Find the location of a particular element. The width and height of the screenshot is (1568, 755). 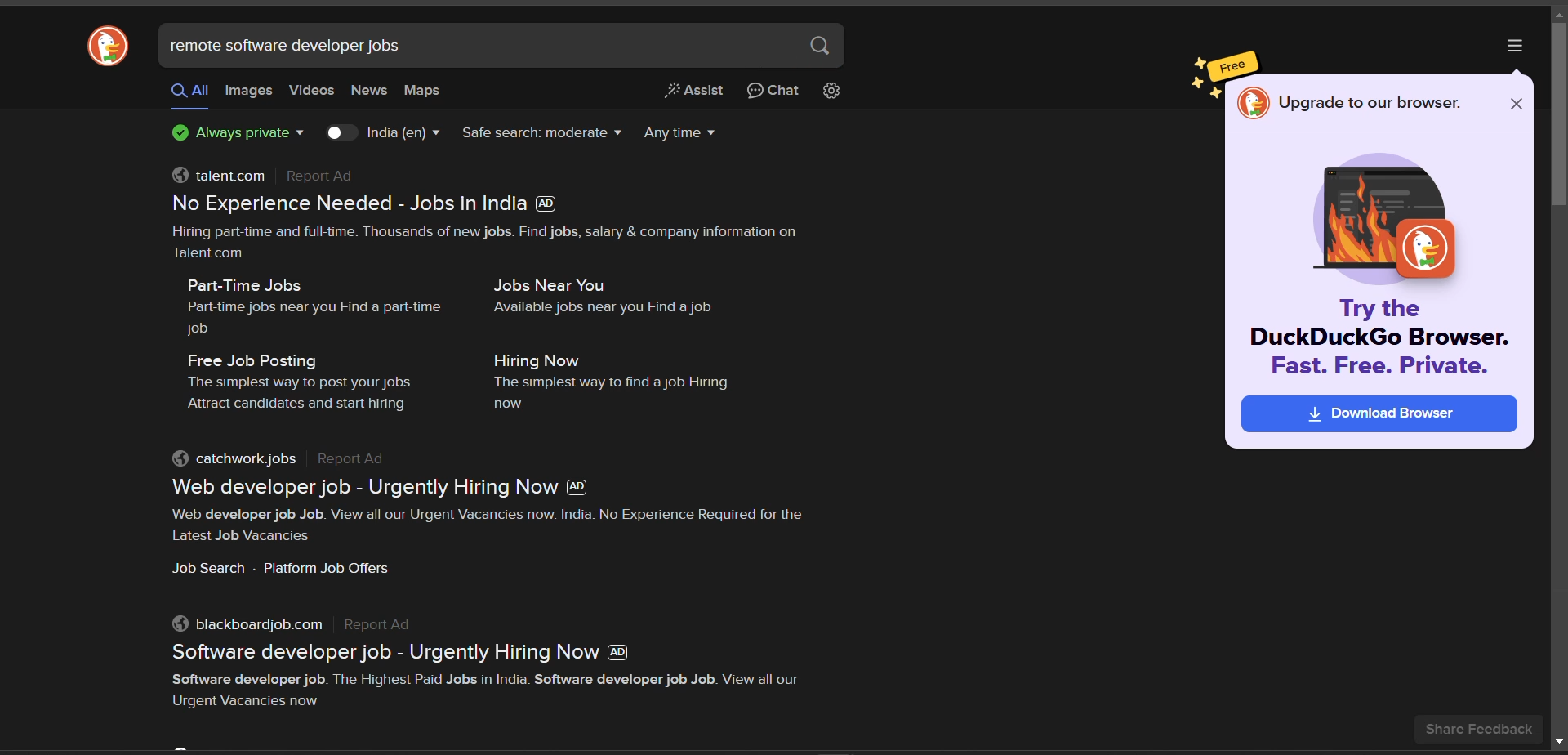

logo is located at coordinates (107, 50).